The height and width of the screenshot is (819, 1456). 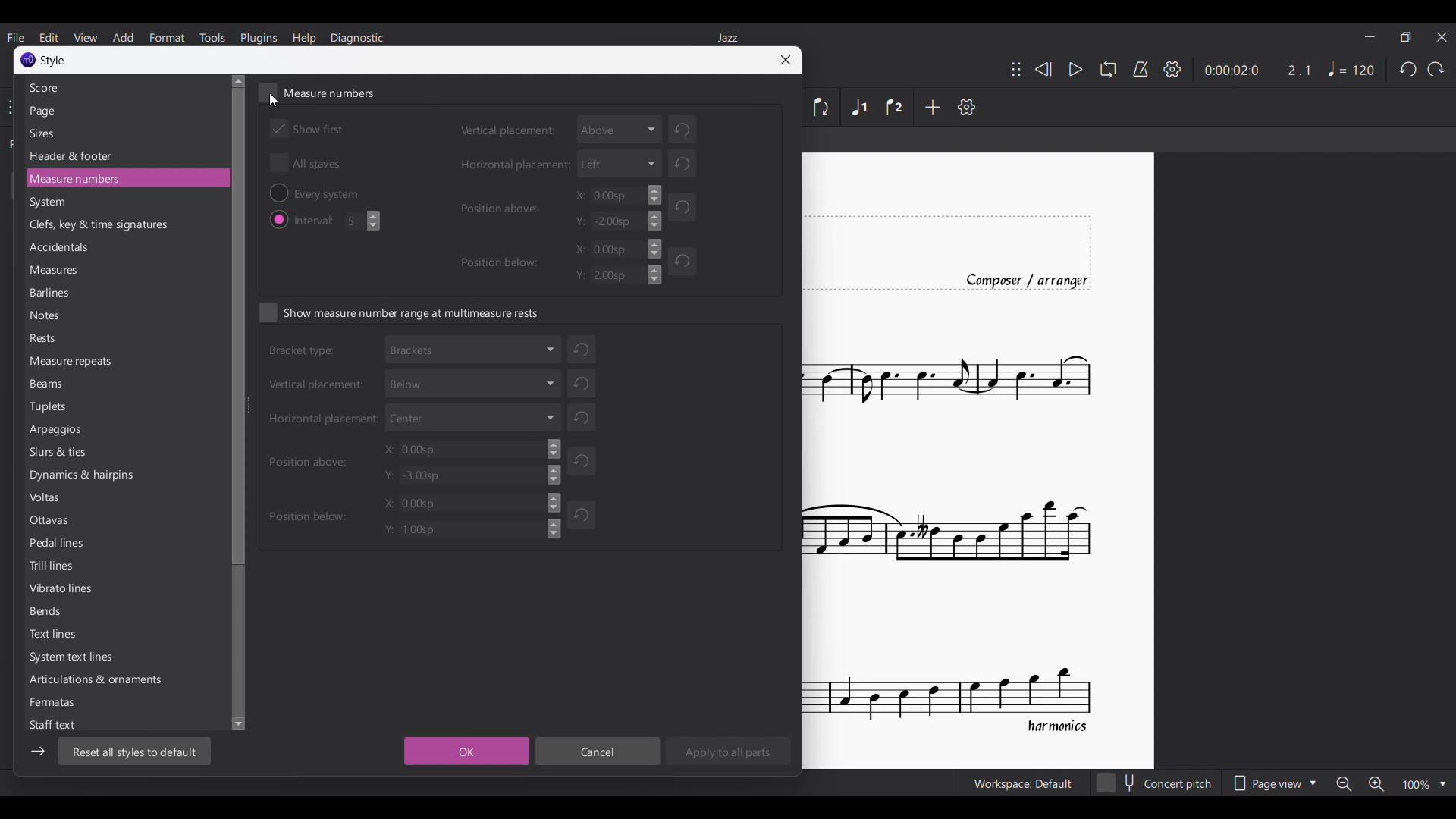 What do you see at coordinates (316, 92) in the screenshot?
I see `Toggle measure numbers` at bounding box center [316, 92].